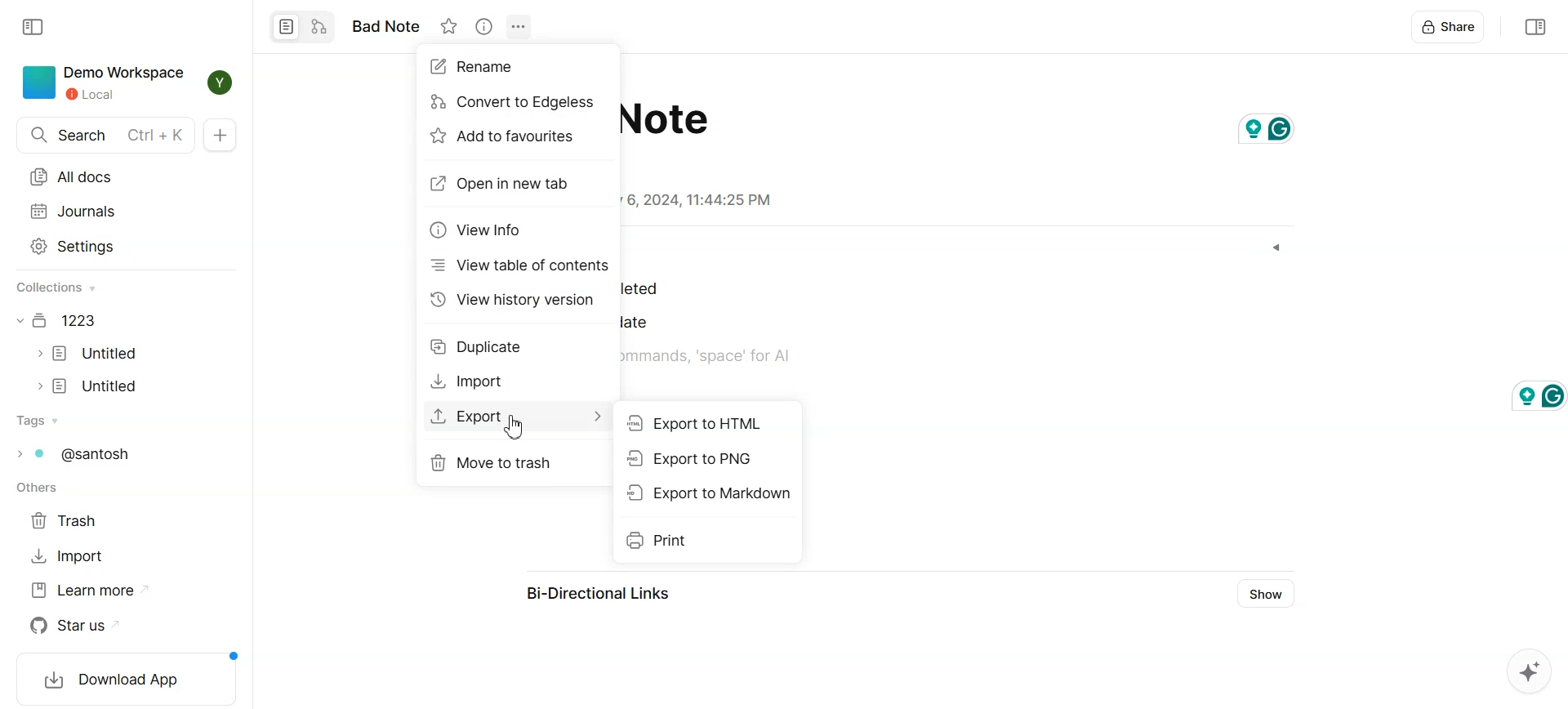 This screenshot has height=709, width=1568. What do you see at coordinates (283, 26) in the screenshot?
I see `Convert to Page` at bounding box center [283, 26].